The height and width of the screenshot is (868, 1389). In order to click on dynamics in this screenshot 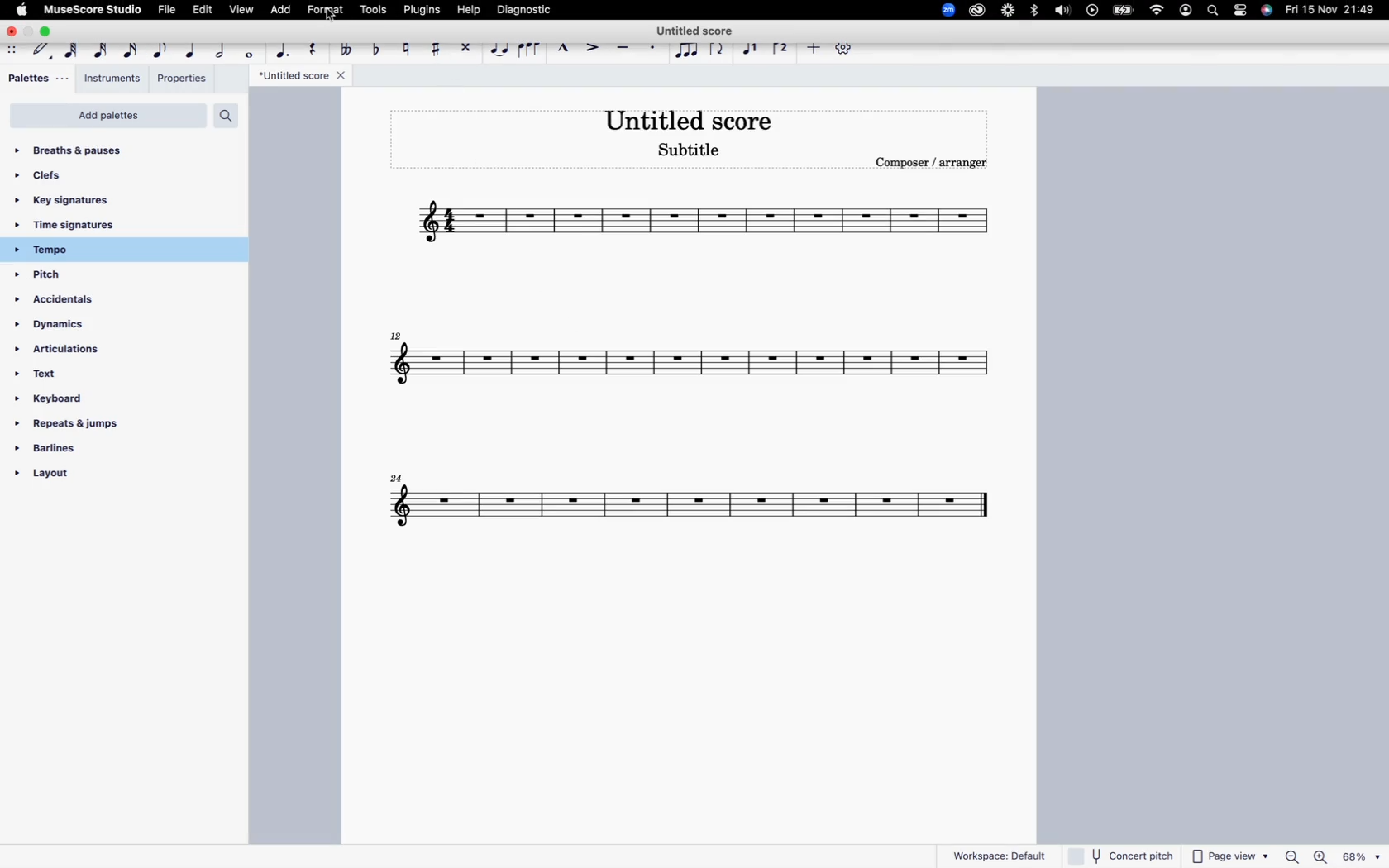, I will do `click(74, 329)`.